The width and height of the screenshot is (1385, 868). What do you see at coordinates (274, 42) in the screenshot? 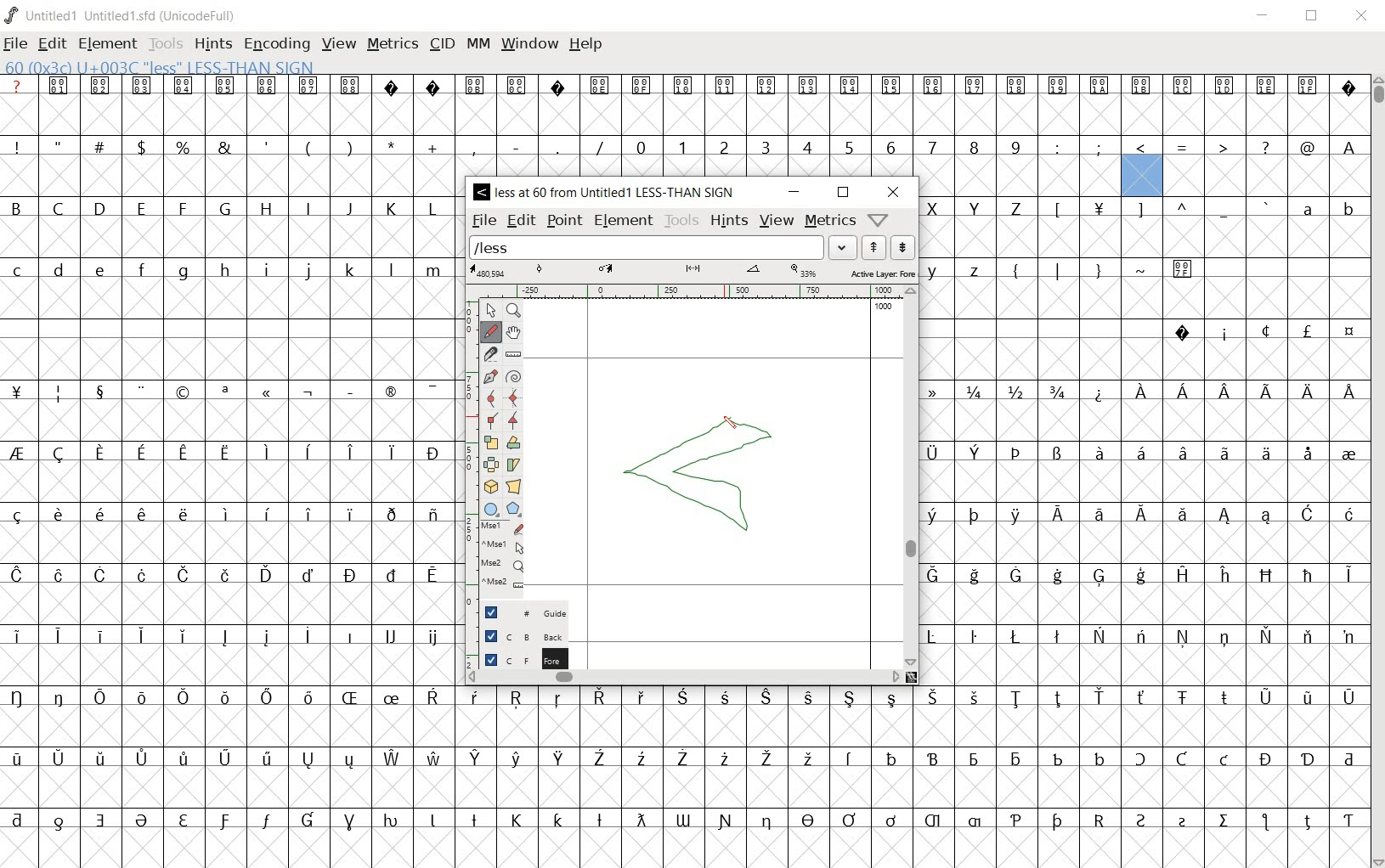
I see `encoding` at bounding box center [274, 42].